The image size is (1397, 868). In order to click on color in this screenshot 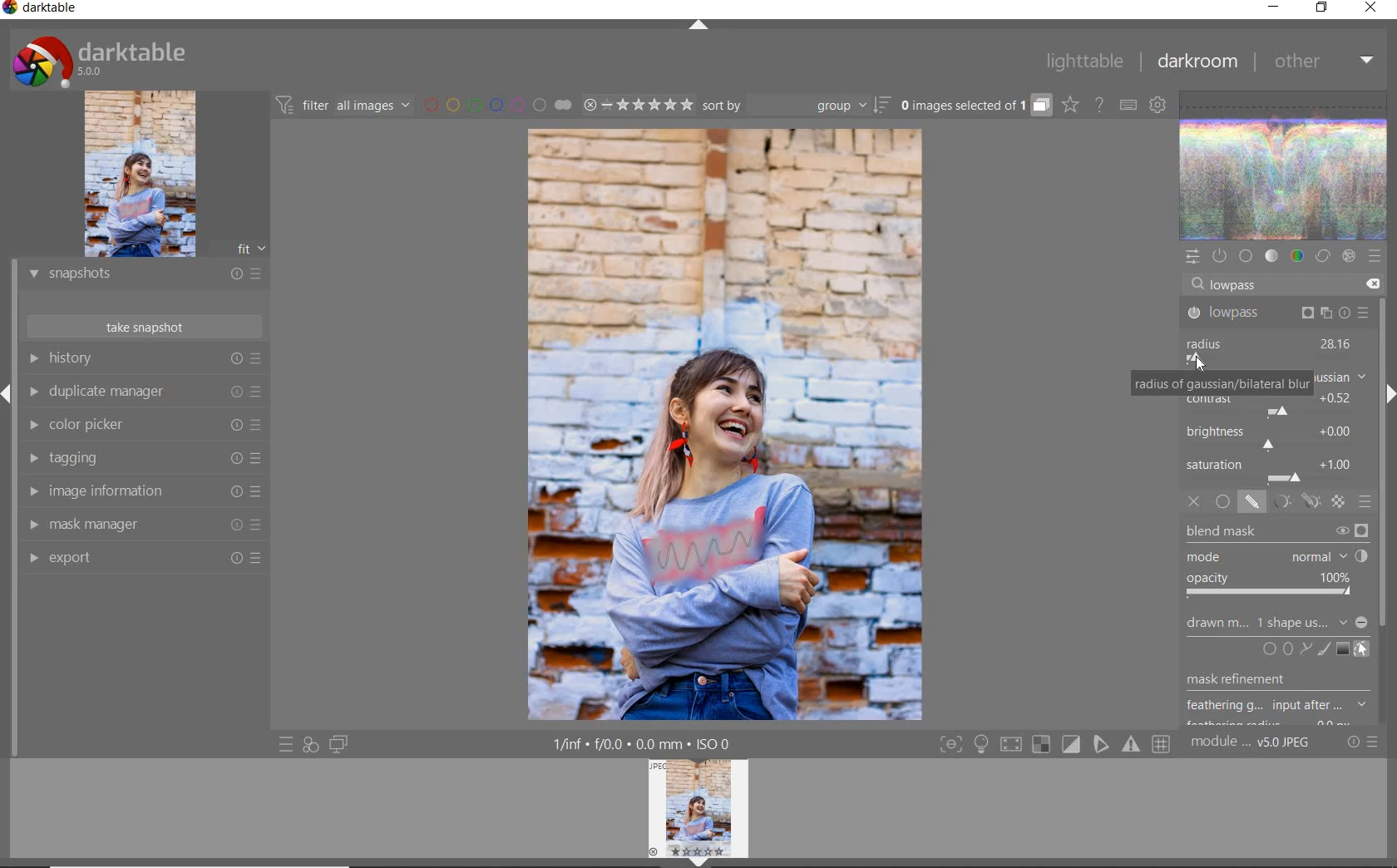, I will do `click(1296, 257)`.